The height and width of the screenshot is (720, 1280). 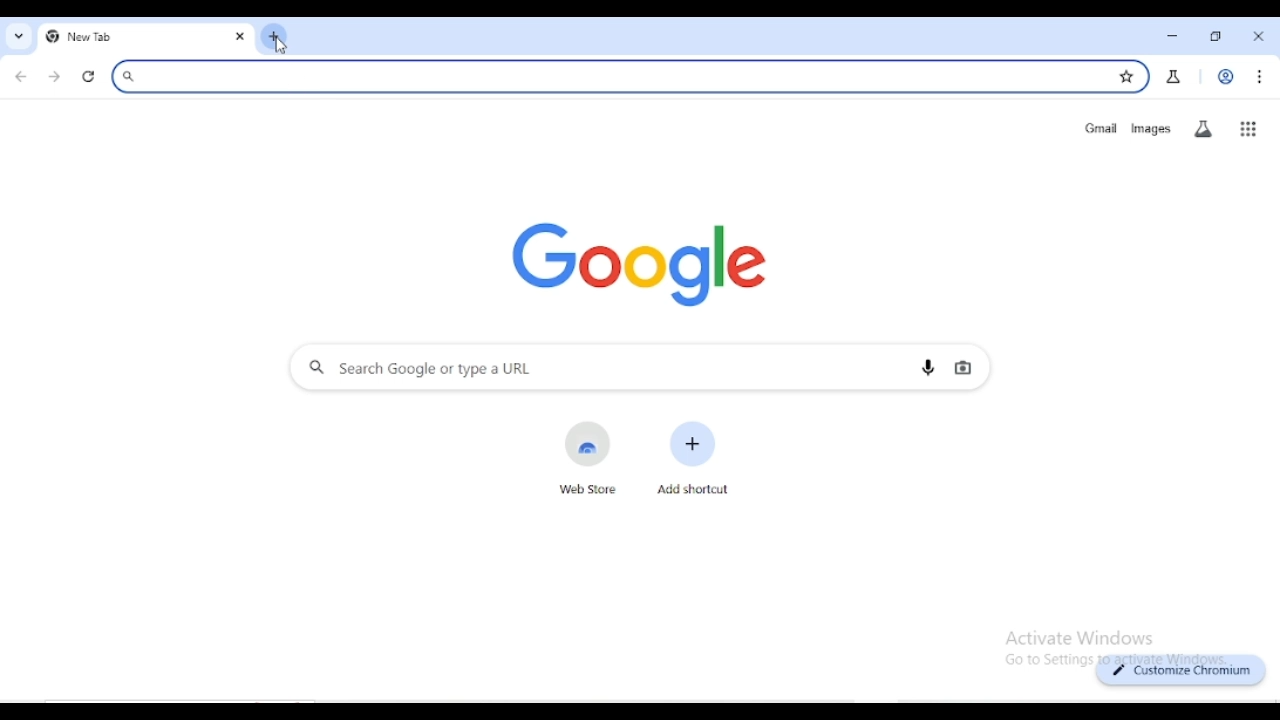 What do you see at coordinates (1226, 77) in the screenshot?
I see `profile` at bounding box center [1226, 77].